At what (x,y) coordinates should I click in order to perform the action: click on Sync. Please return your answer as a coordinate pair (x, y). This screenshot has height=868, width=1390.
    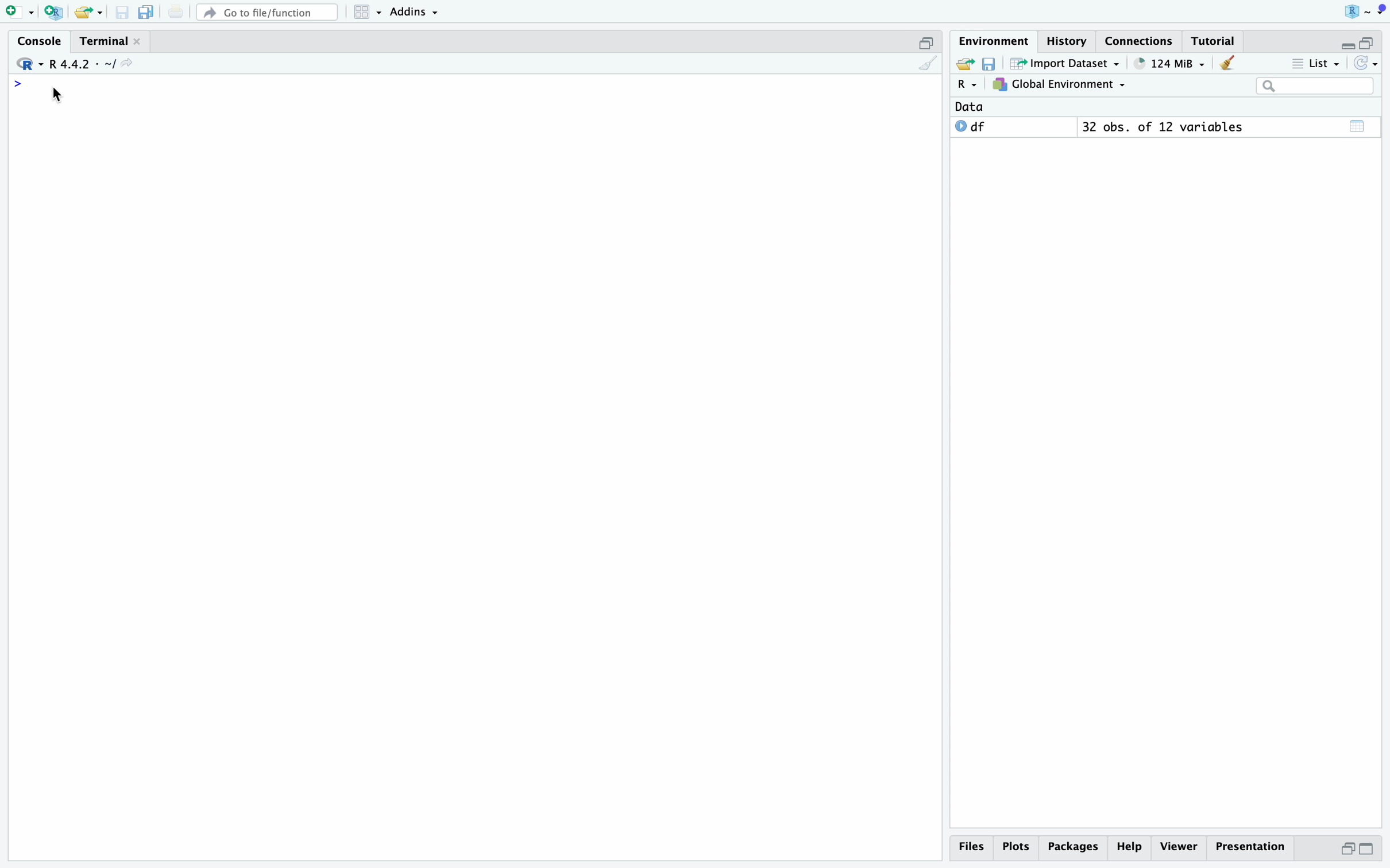
    Looking at the image, I should click on (1366, 63).